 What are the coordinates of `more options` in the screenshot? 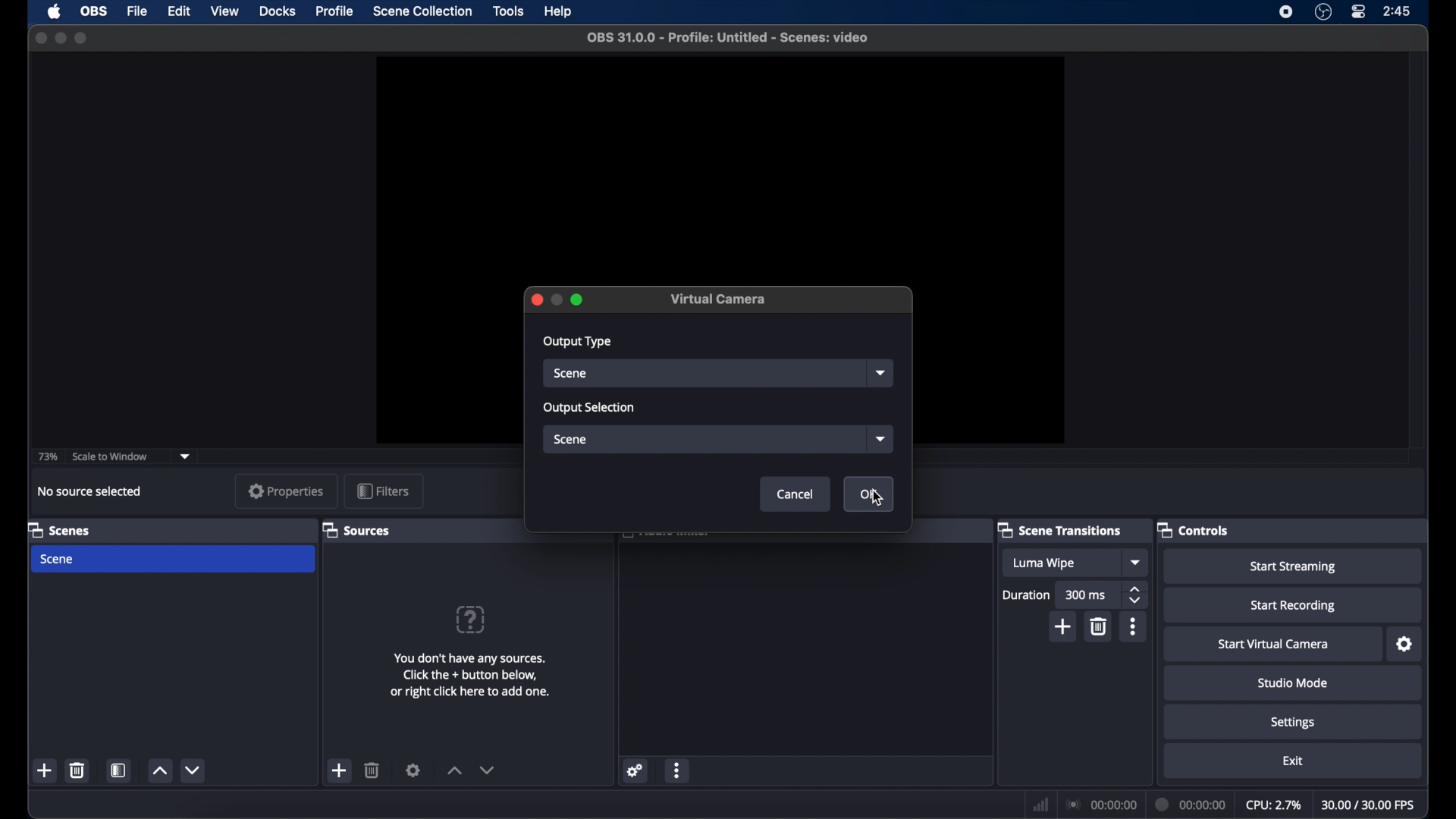 It's located at (678, 770).